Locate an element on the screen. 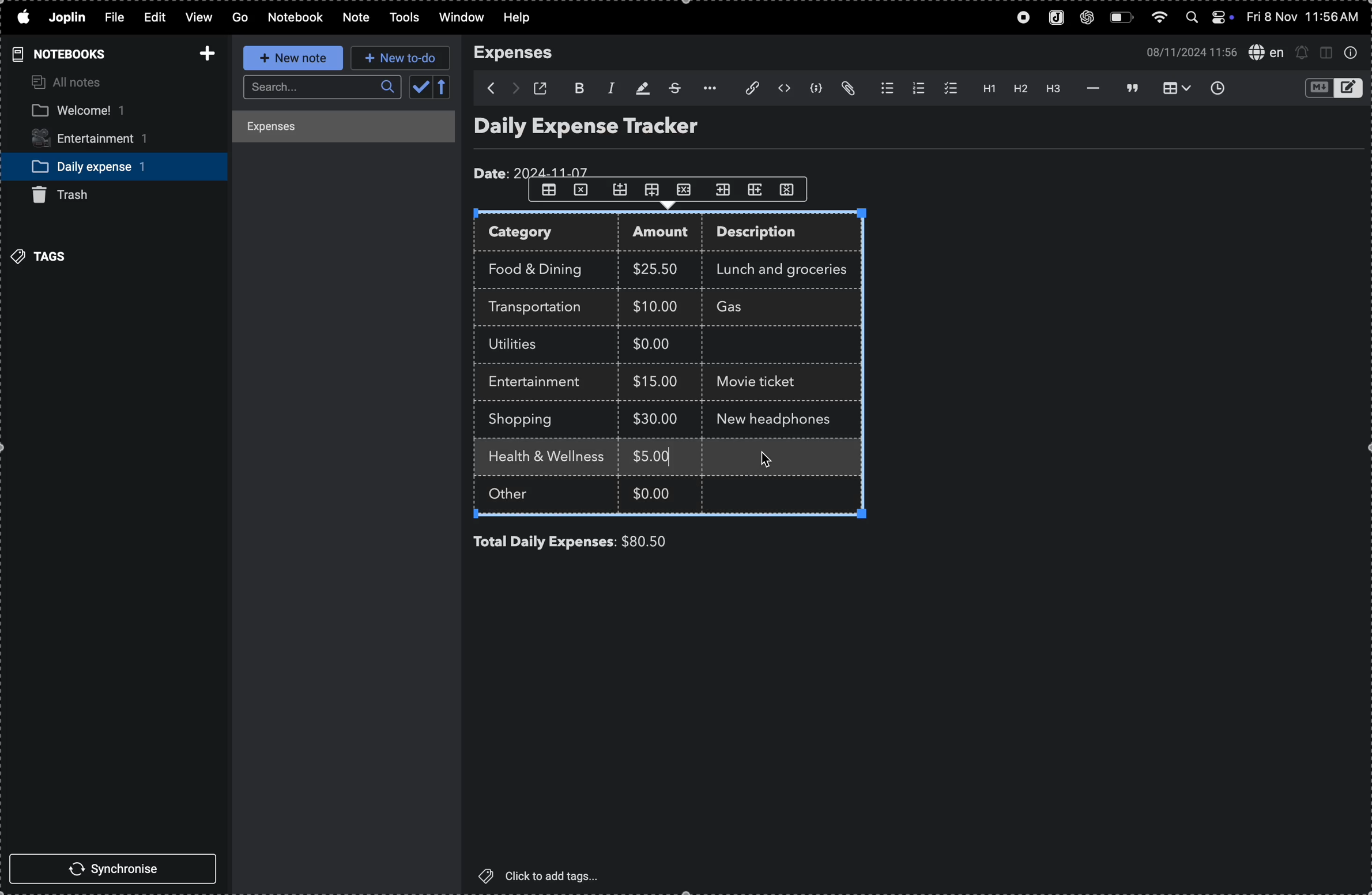 The image size is (1372, 895). $15.00 is located at coordinates (656, 381).